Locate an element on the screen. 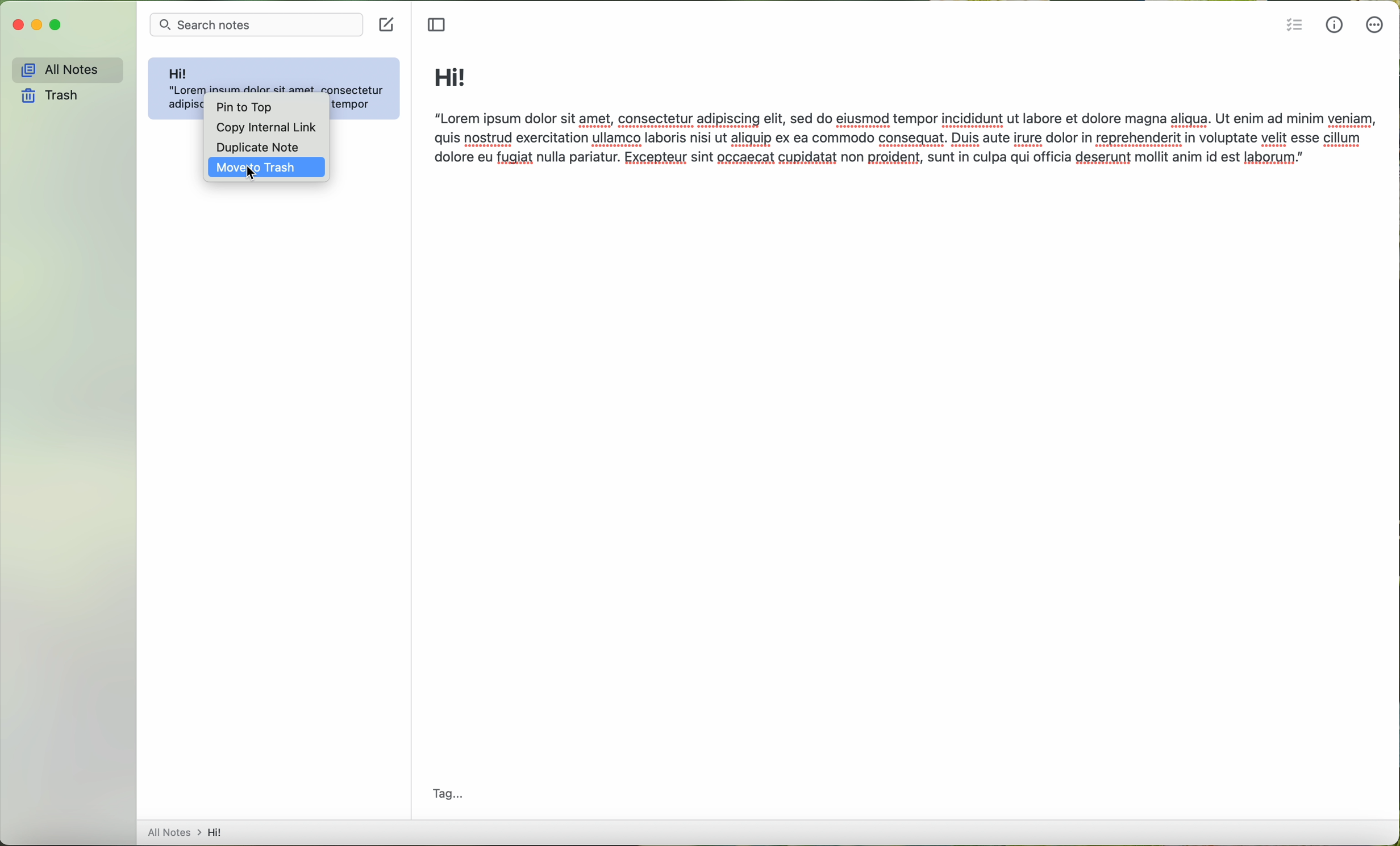  toggle sidebar is located at coordinates (439, 26).